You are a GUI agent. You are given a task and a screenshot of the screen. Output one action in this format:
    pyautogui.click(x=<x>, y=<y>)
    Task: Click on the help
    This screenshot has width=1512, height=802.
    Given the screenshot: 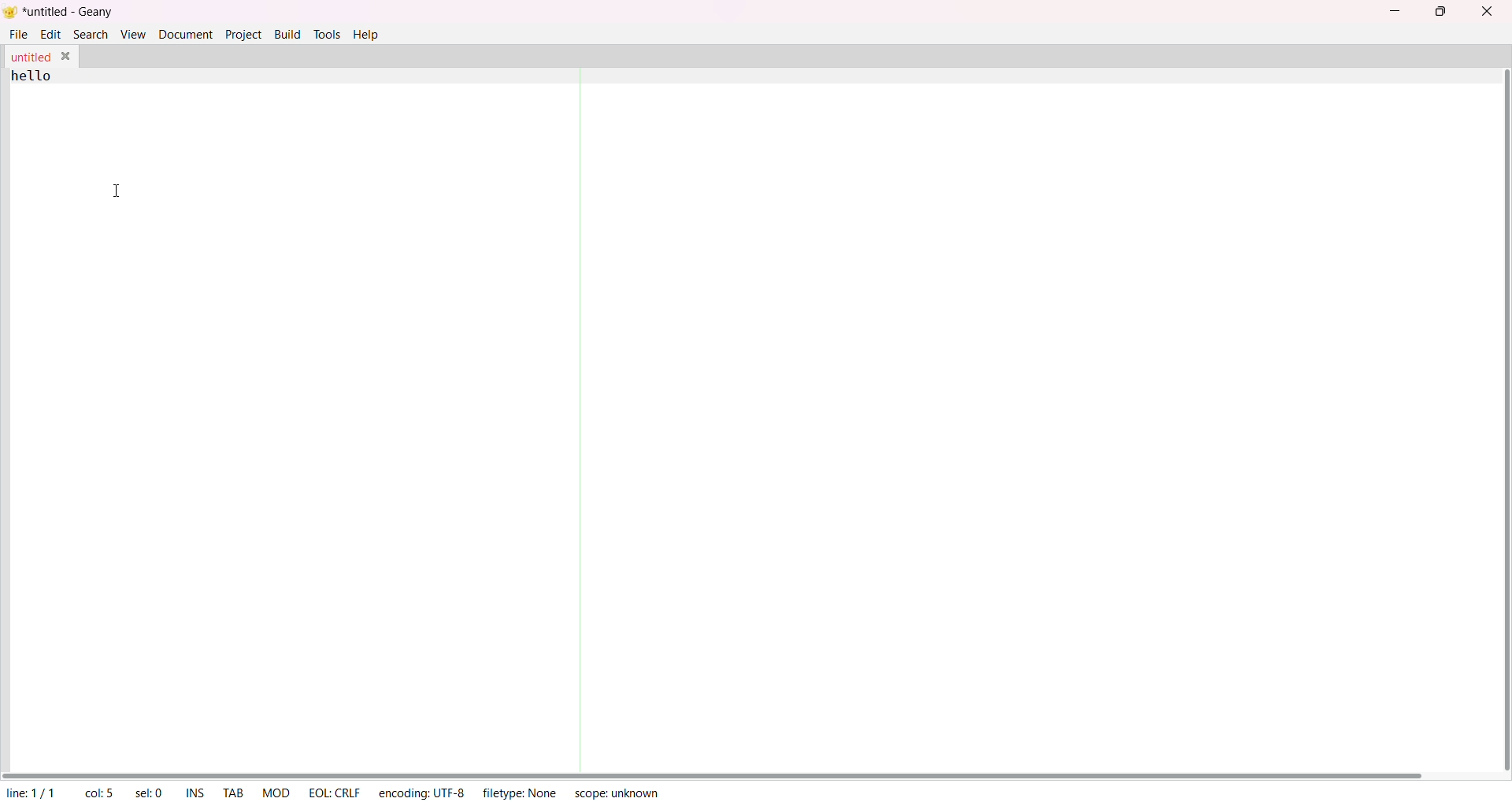 What is the action you would take?
    pyautogui.click(x=367, y=34)
    